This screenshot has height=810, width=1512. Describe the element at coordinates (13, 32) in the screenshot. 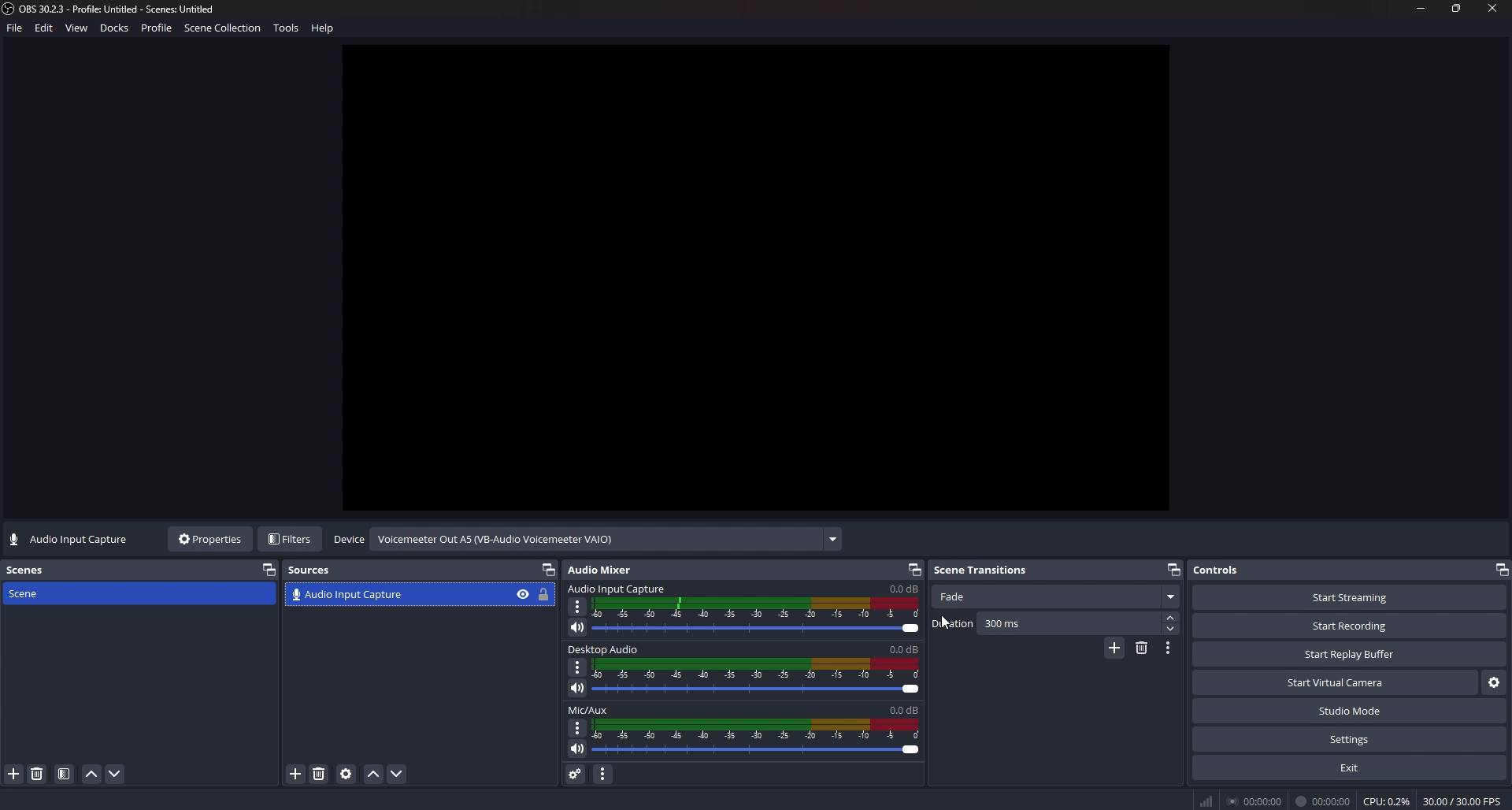

I see `file` at that location.